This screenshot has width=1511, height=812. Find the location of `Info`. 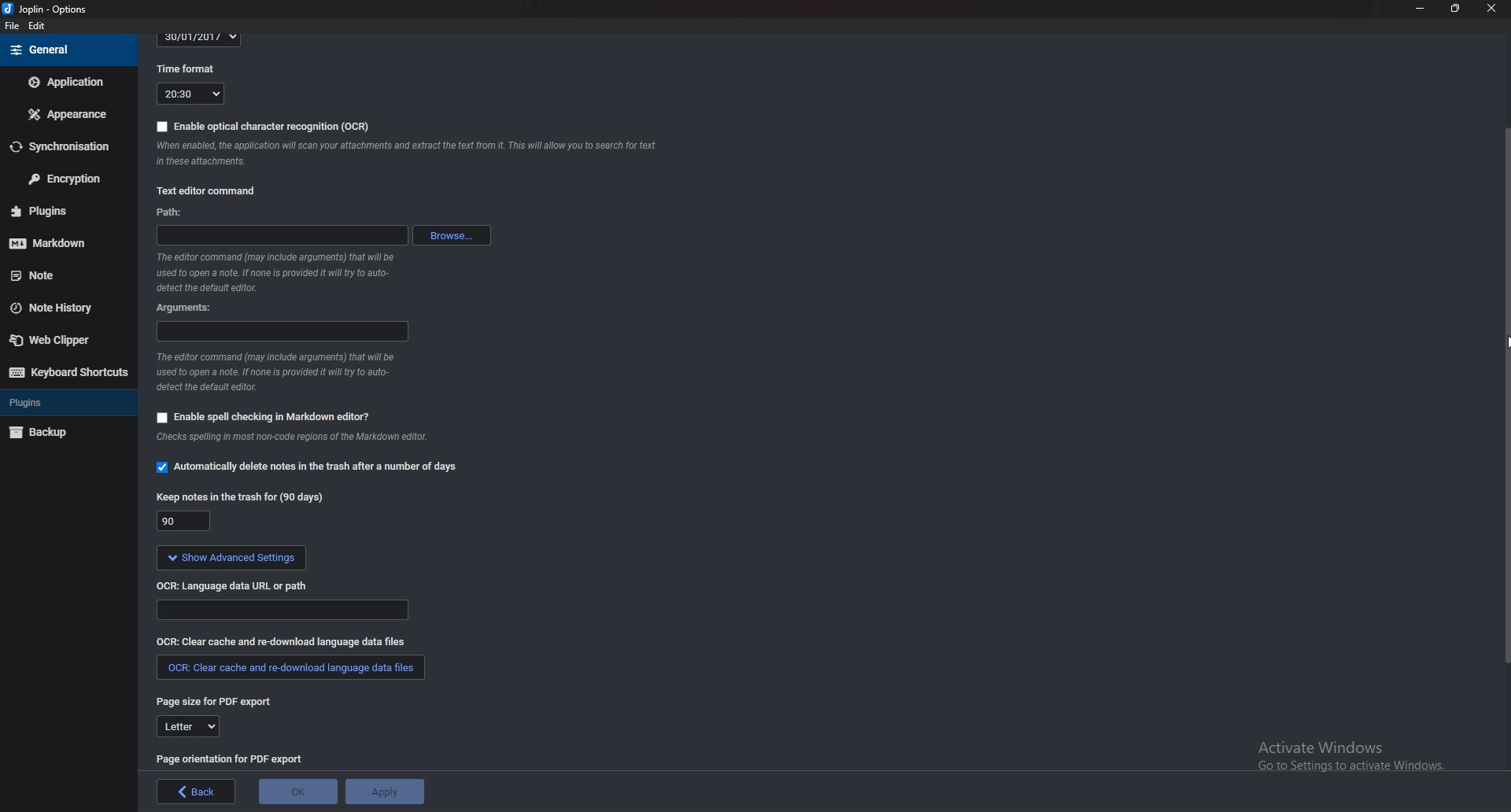

Info is located at coordinates (413, 155).